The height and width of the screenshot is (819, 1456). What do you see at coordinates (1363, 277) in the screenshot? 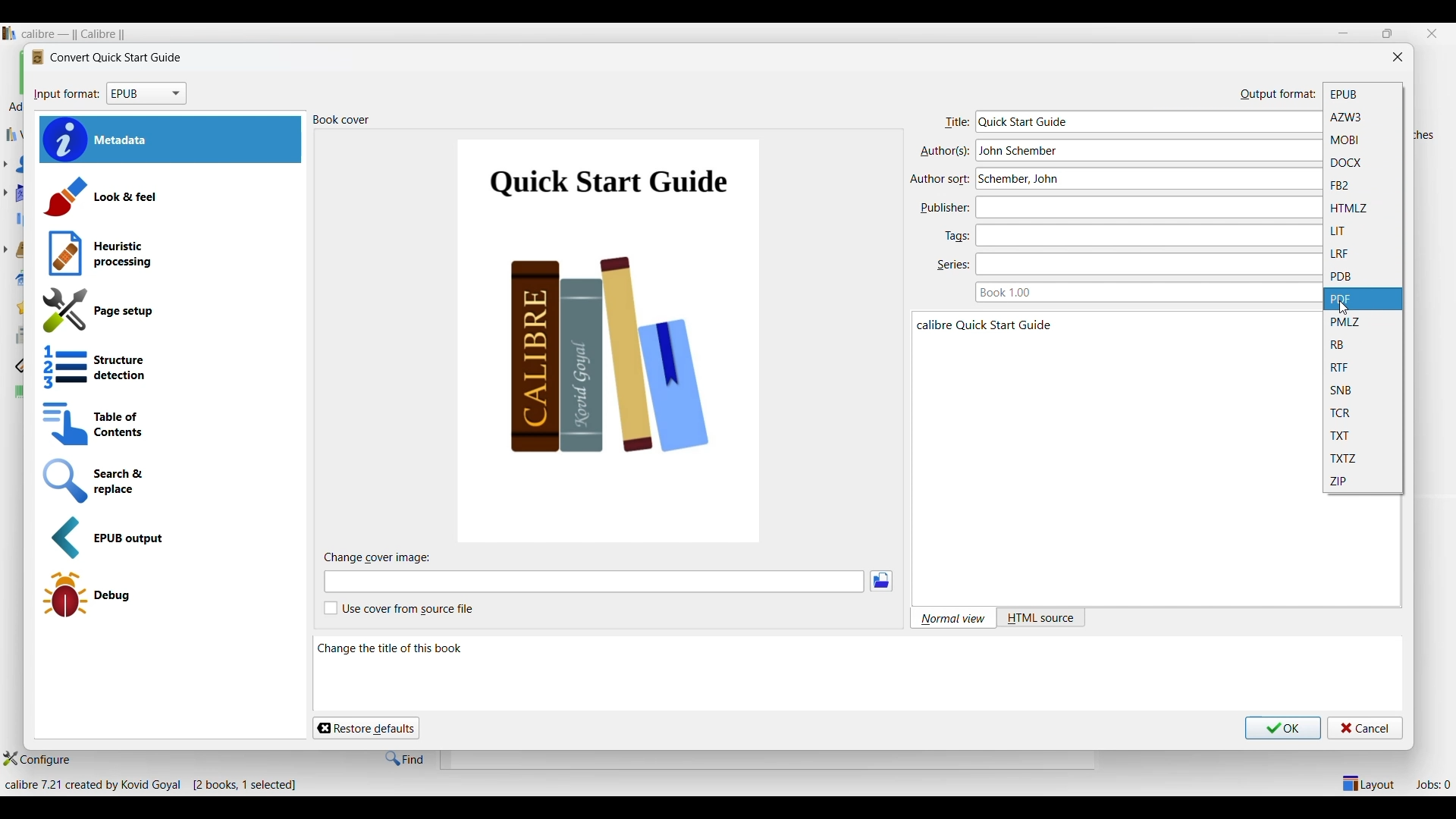
I see `PDB` at bounding box center [1363, 277].